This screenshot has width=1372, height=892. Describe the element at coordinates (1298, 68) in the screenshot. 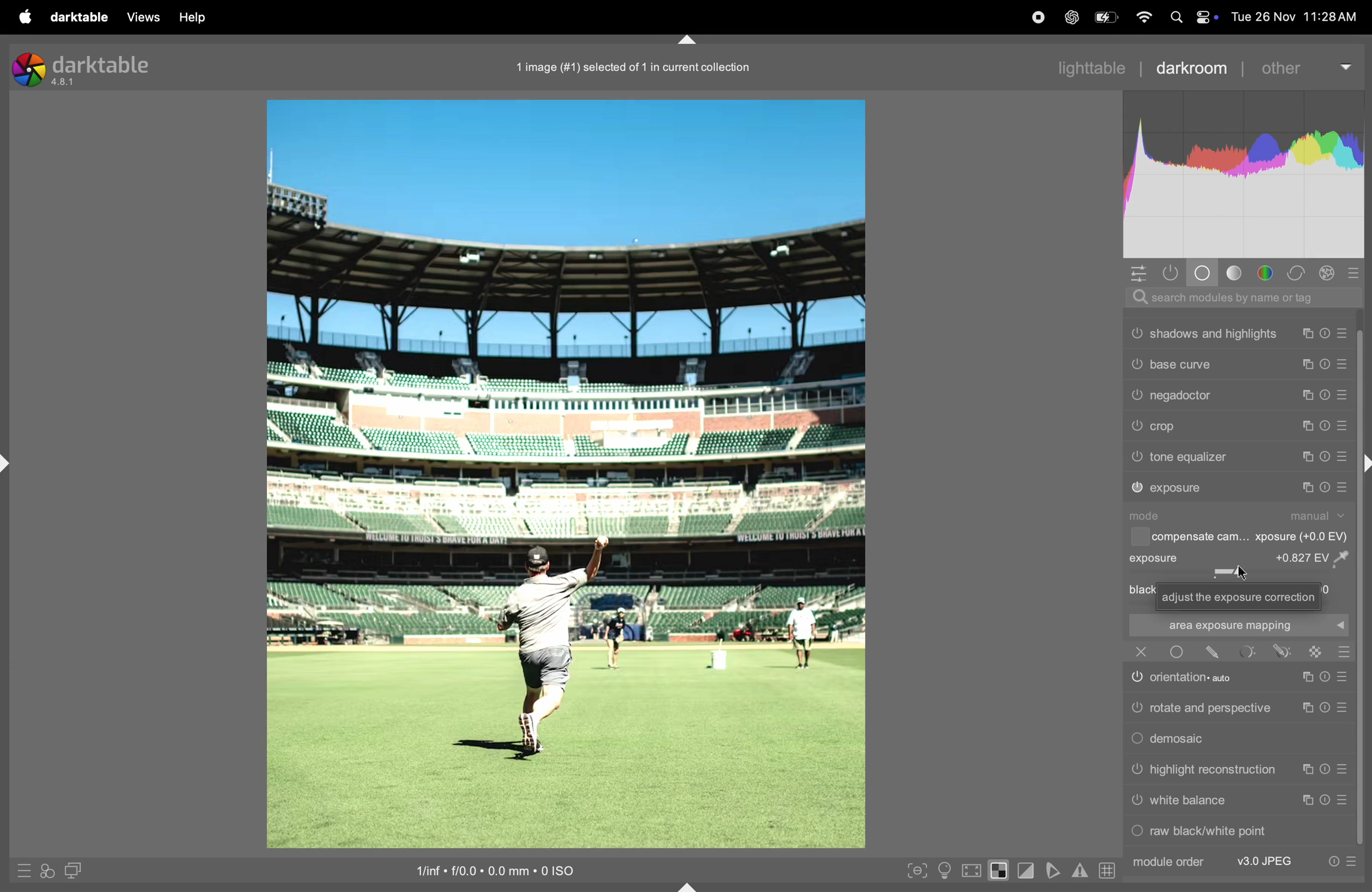

I see `other` at that location.